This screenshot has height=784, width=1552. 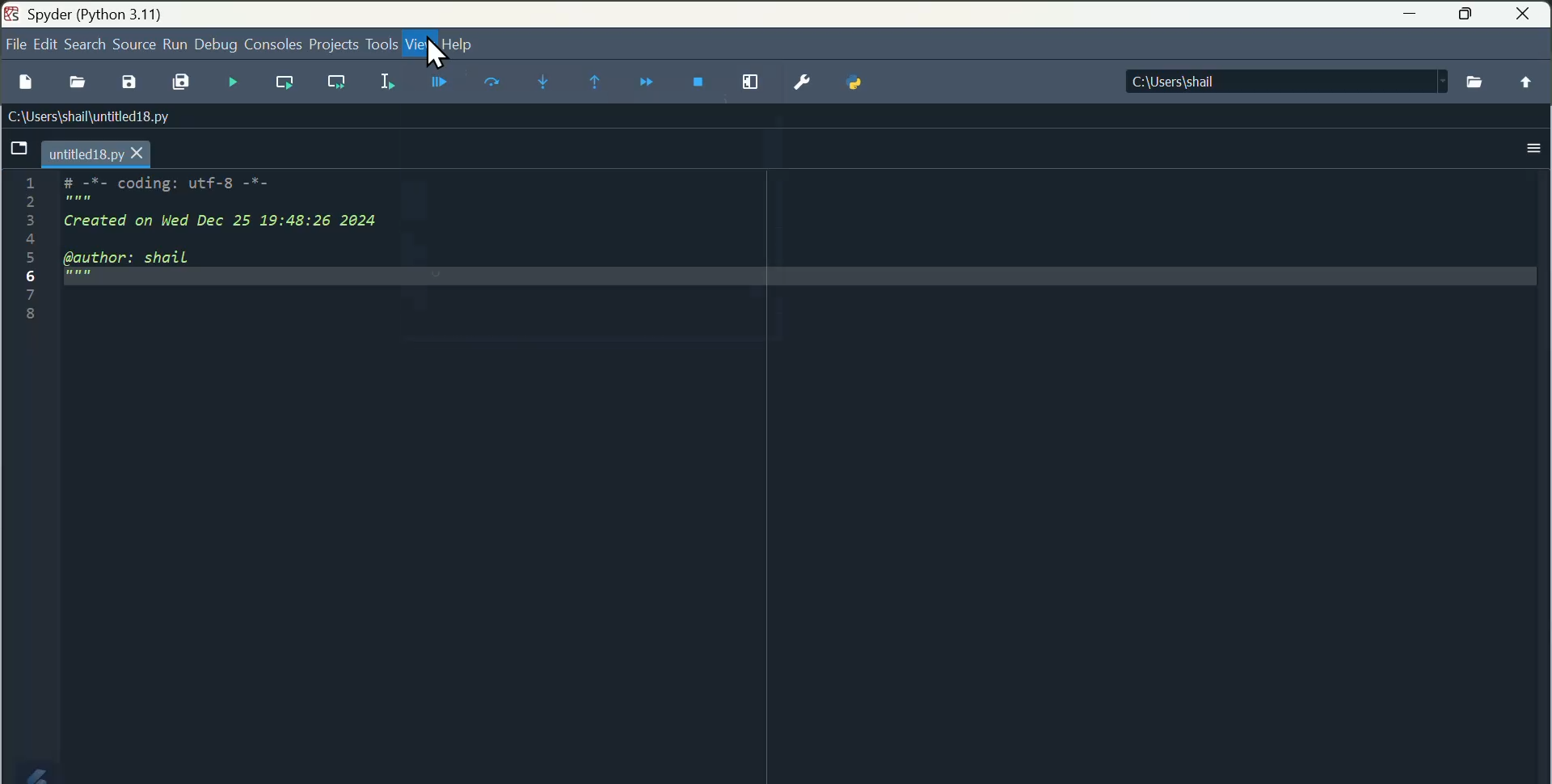 What do you see at coordinates (337, 83) in the screenshot?
I see `run current cell or method` at bounding box center [337, 83].